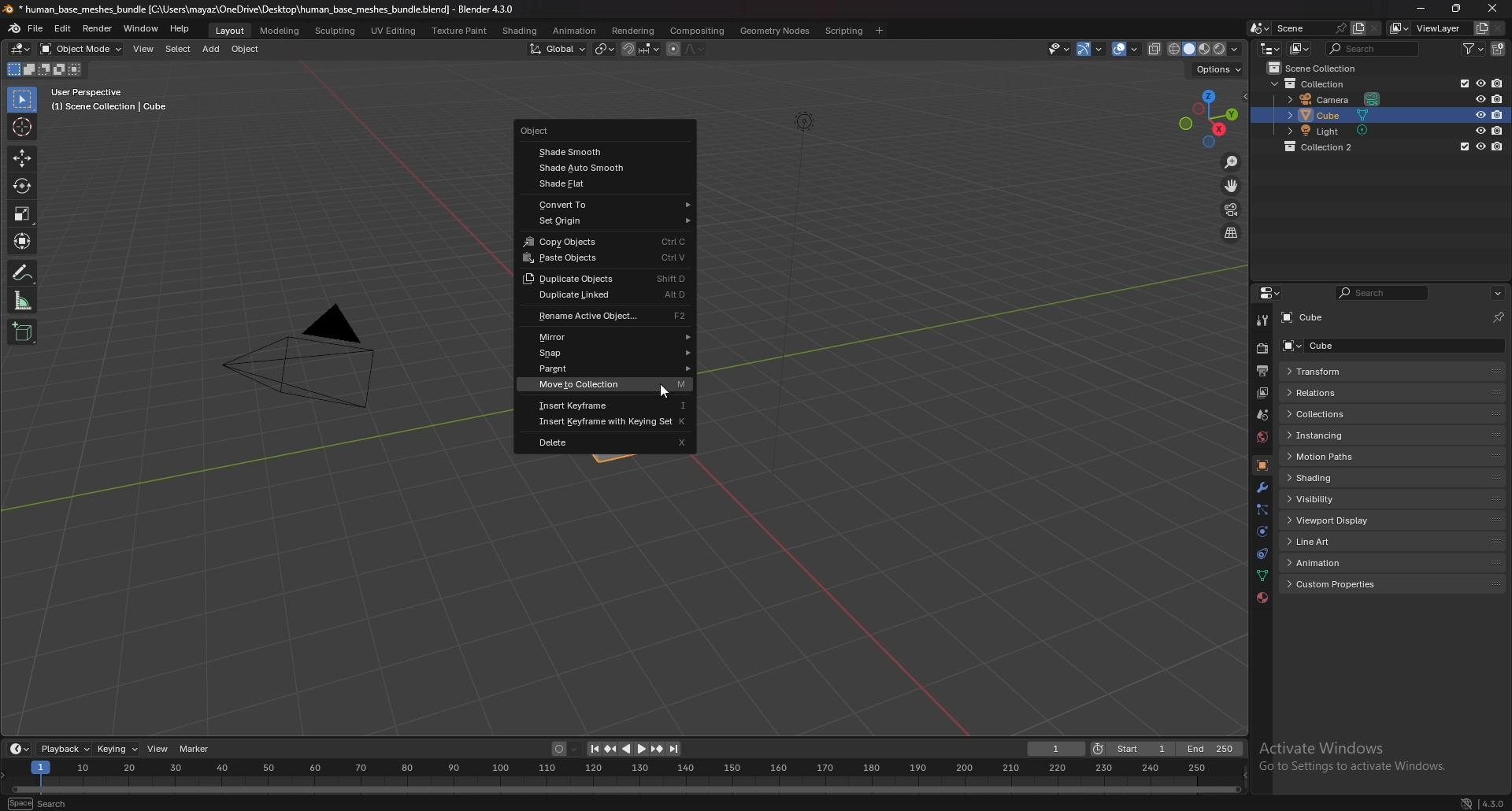 The width and height of the screenshot is (1512, 811). What do you see at coordinates (663, 389) in the screenshot?
I see `cursor` at bounding box center [663, 389].